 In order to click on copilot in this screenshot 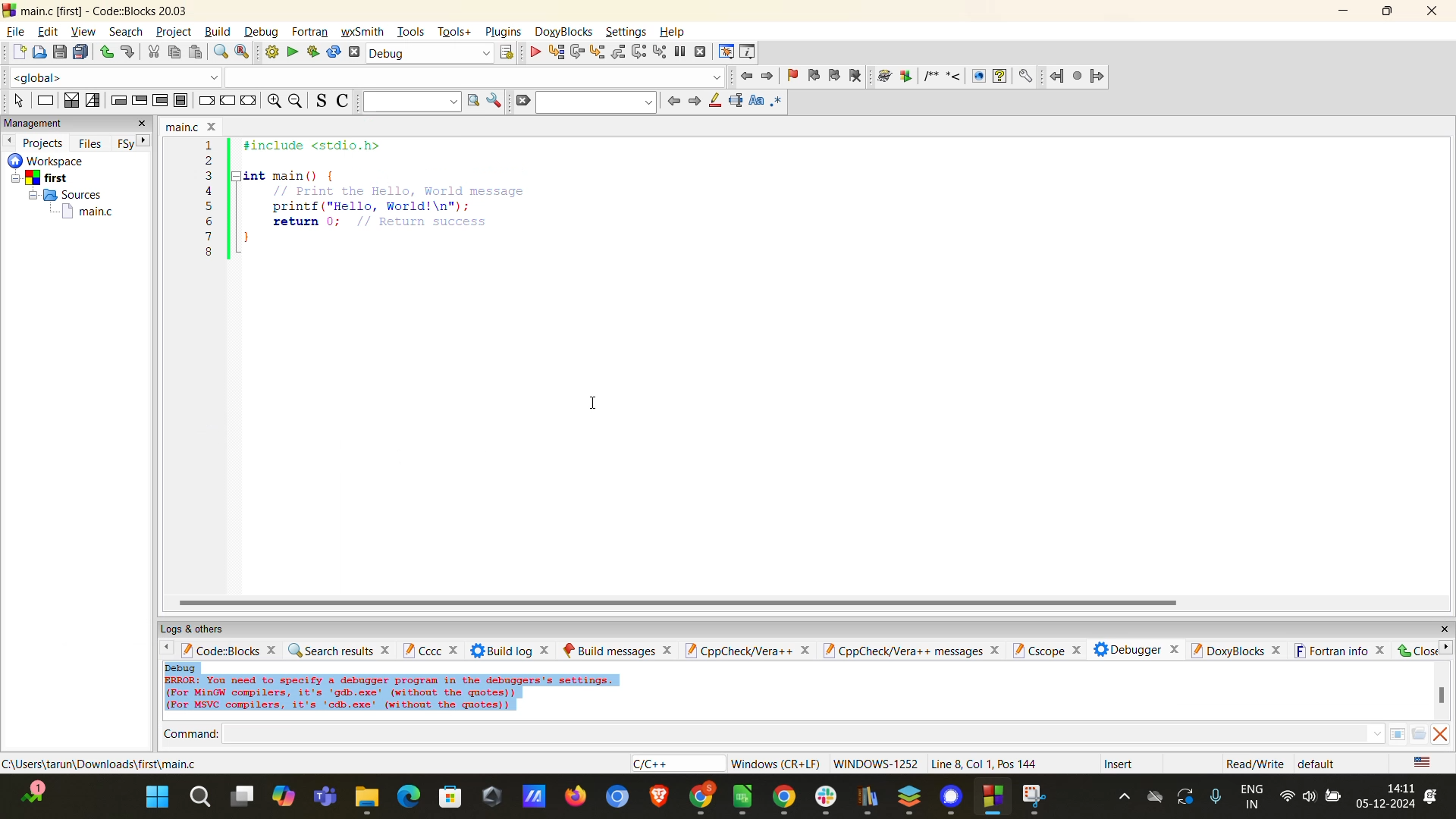, I will do `click(287, 795)`.